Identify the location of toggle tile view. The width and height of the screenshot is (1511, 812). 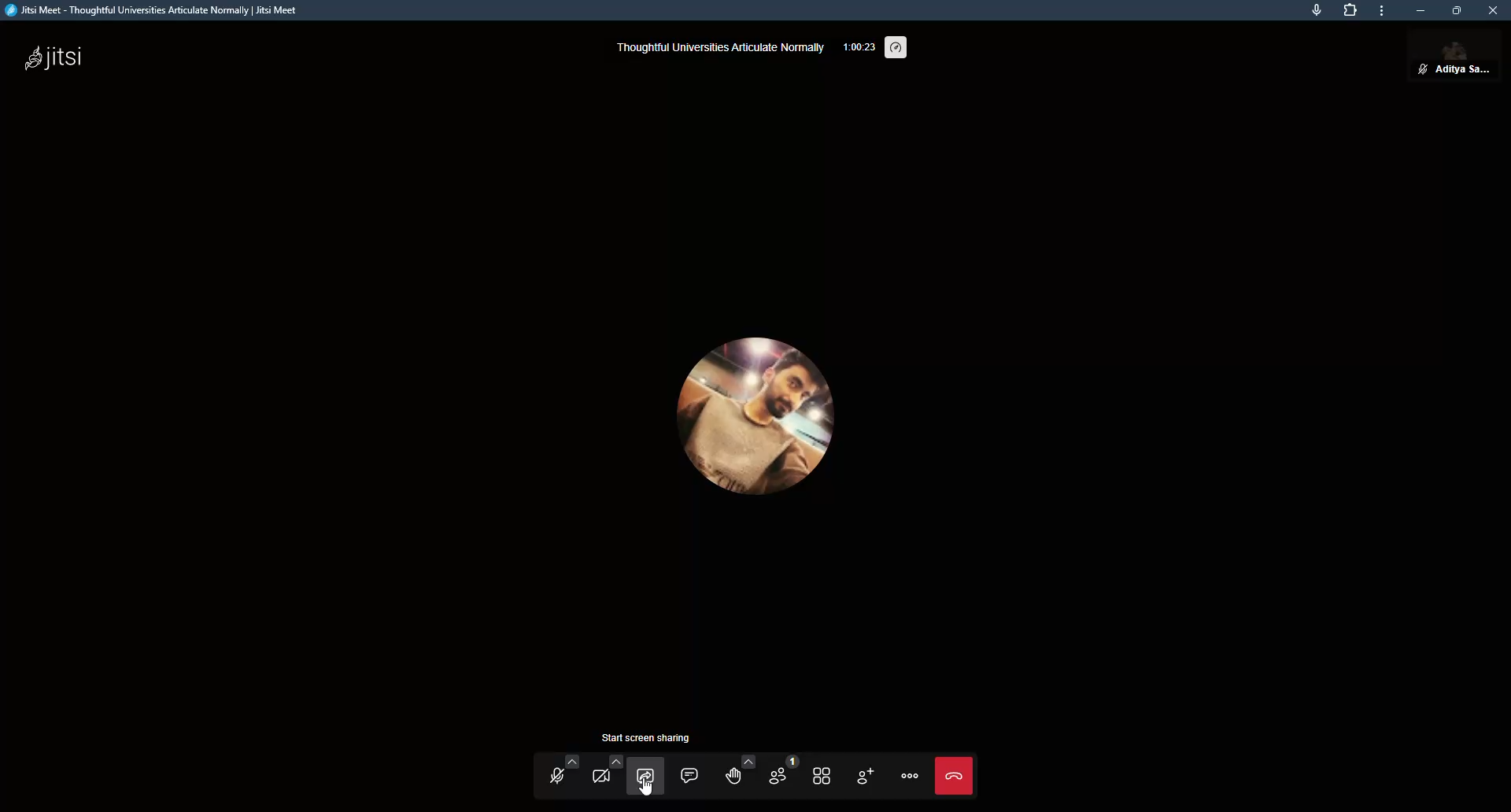
(822, 774).